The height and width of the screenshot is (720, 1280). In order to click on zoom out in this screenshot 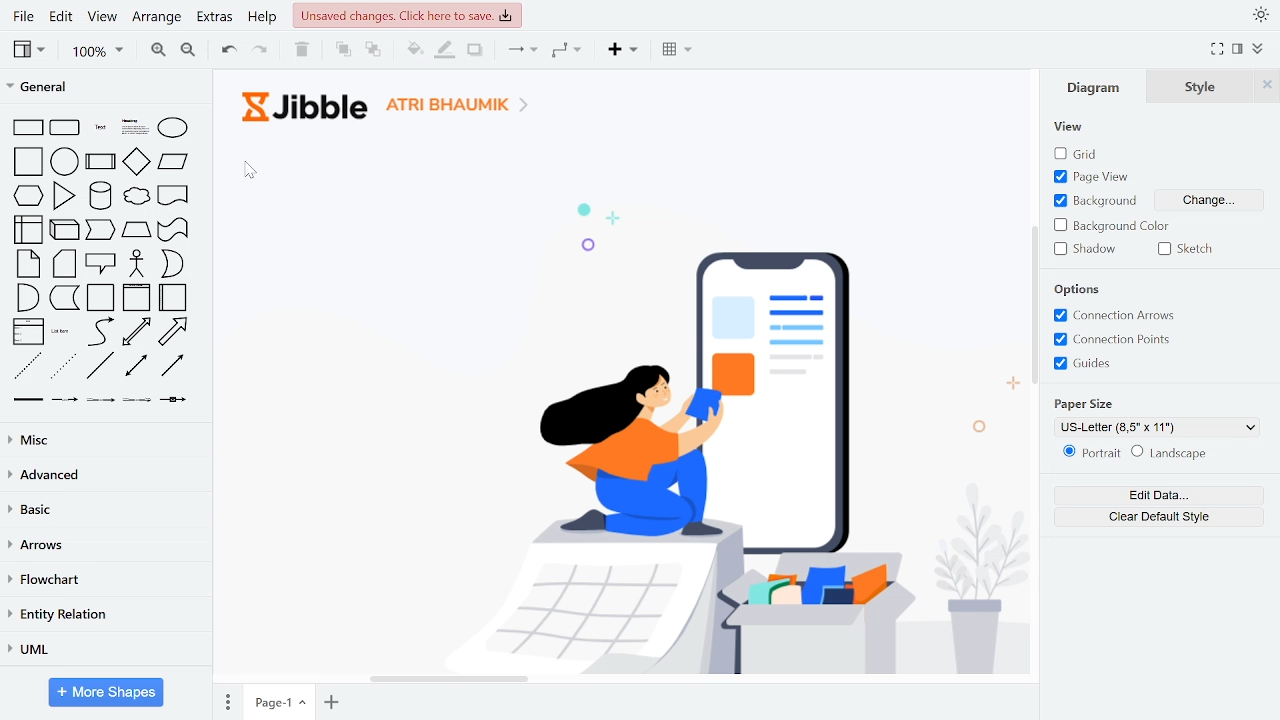, I will do `click(190, 51)`.